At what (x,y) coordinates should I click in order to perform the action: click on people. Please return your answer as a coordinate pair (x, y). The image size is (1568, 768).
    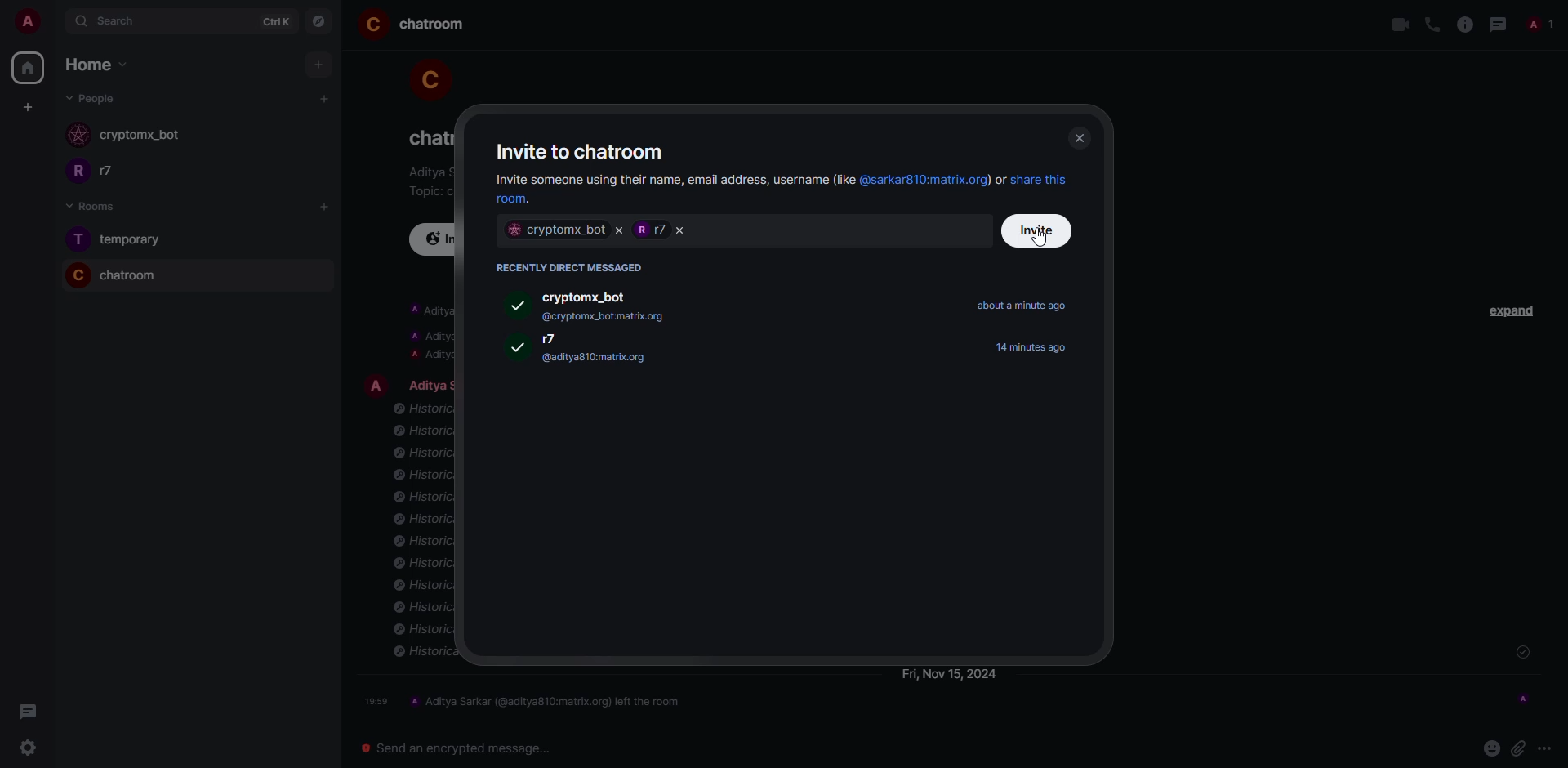
    Looking at the image, I should click on (429, 384).